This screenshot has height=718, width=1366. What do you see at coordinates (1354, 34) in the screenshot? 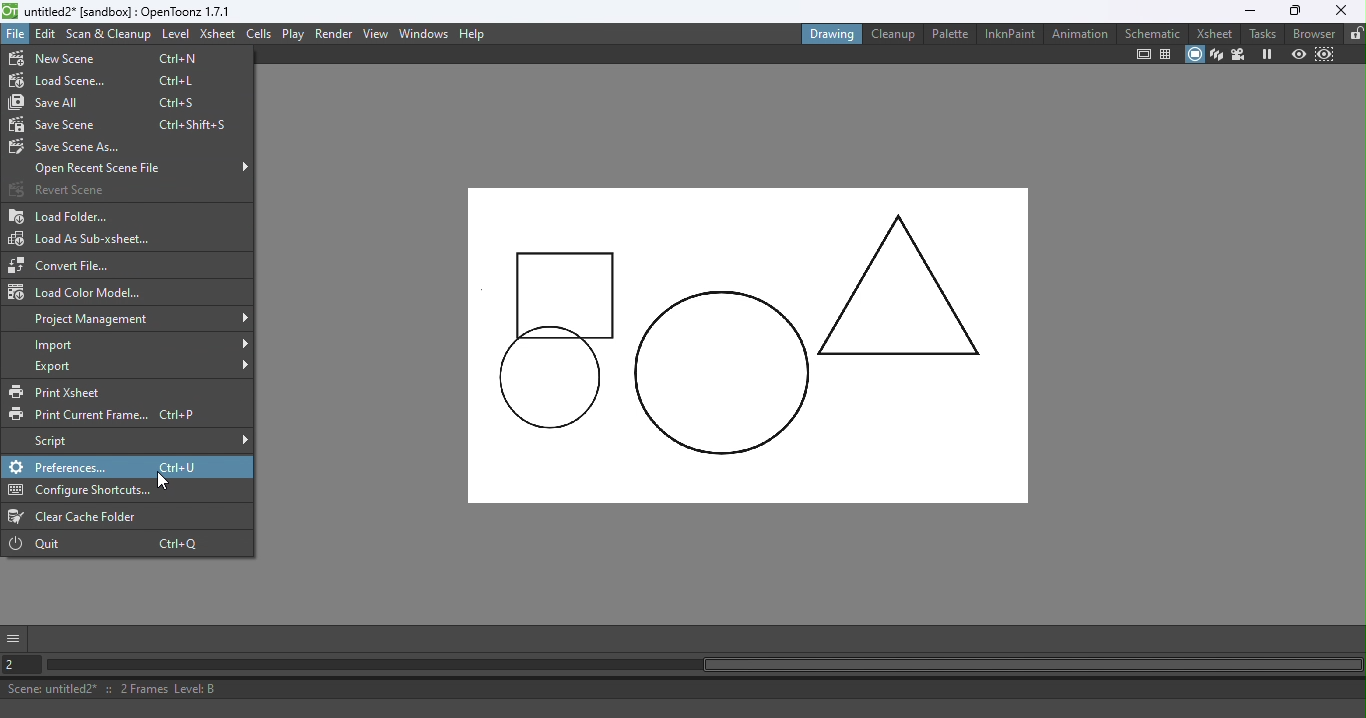
I see `Lock rooms tab` at bounding box center [1354, 34].